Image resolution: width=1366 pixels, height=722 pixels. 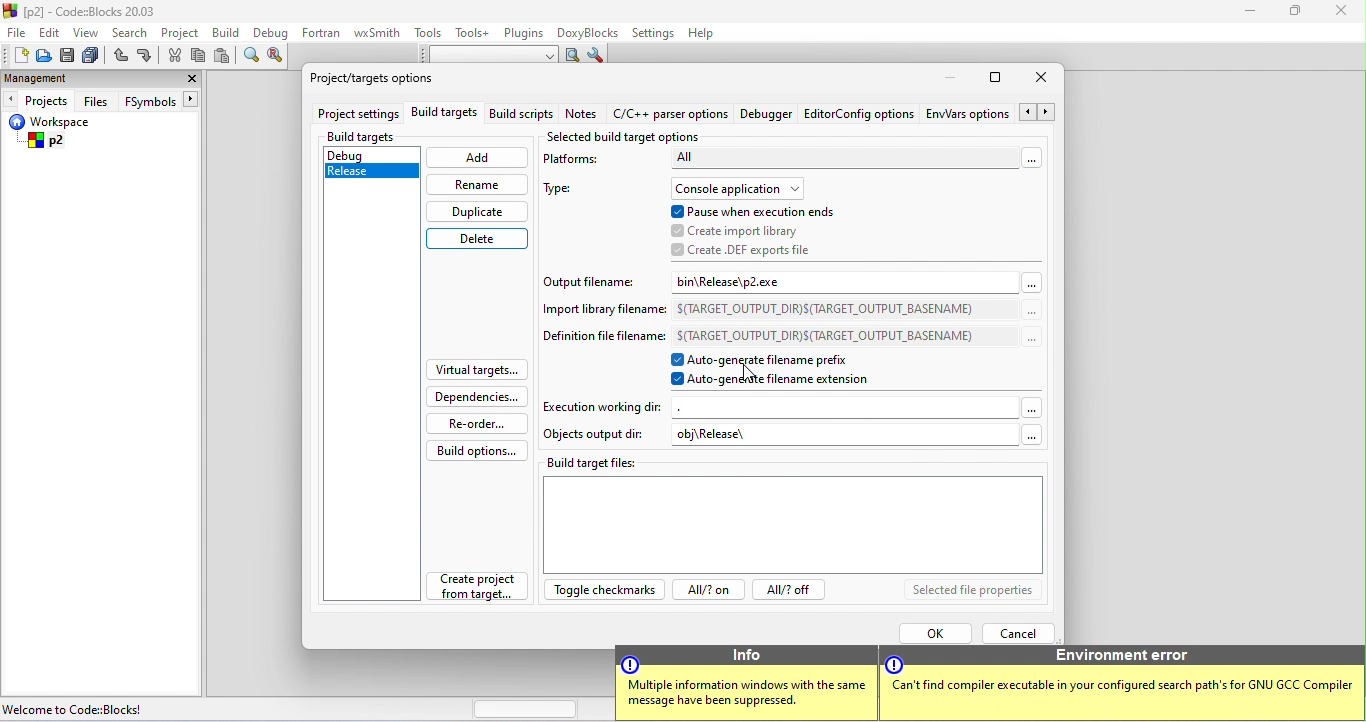 What do you see at coordinates (189, 78) in the screenshot?
I see `close` at bounding box center [189, 78].